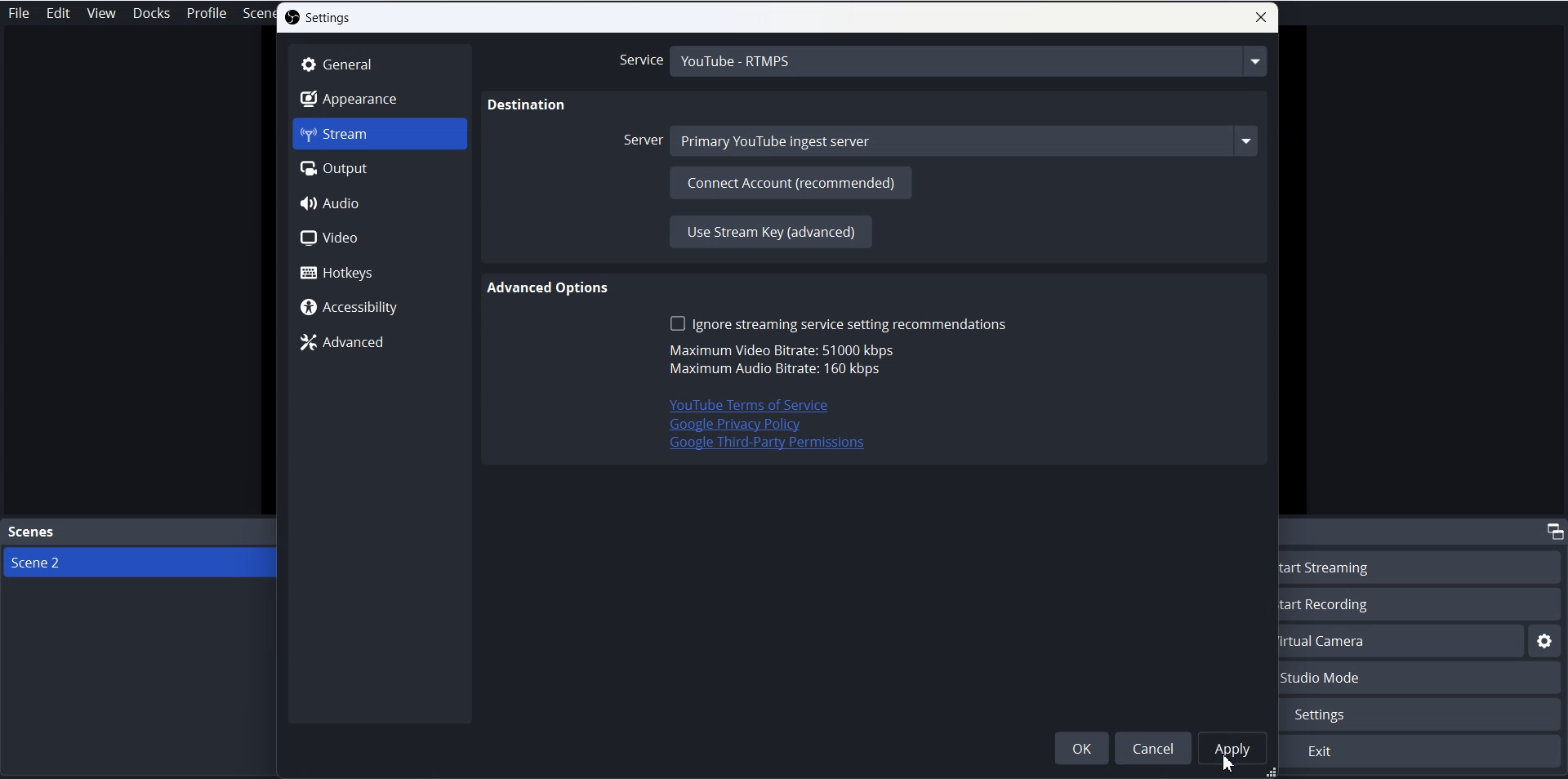  Describe the element at coordinates (377, 341) in the screenshot. I see `Advanced` at that location.